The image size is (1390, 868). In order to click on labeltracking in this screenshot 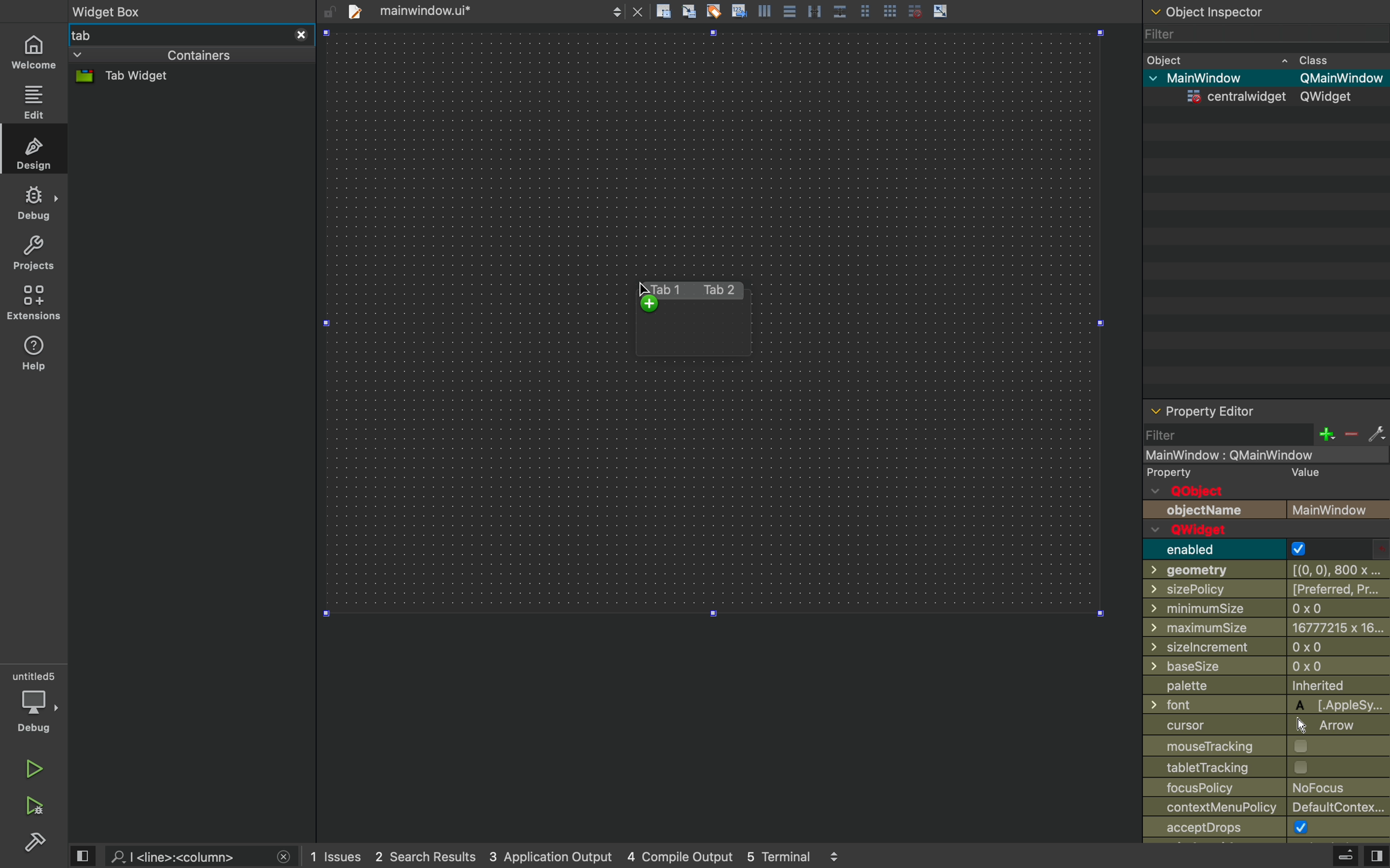, I will do `click(1268, 769)`.